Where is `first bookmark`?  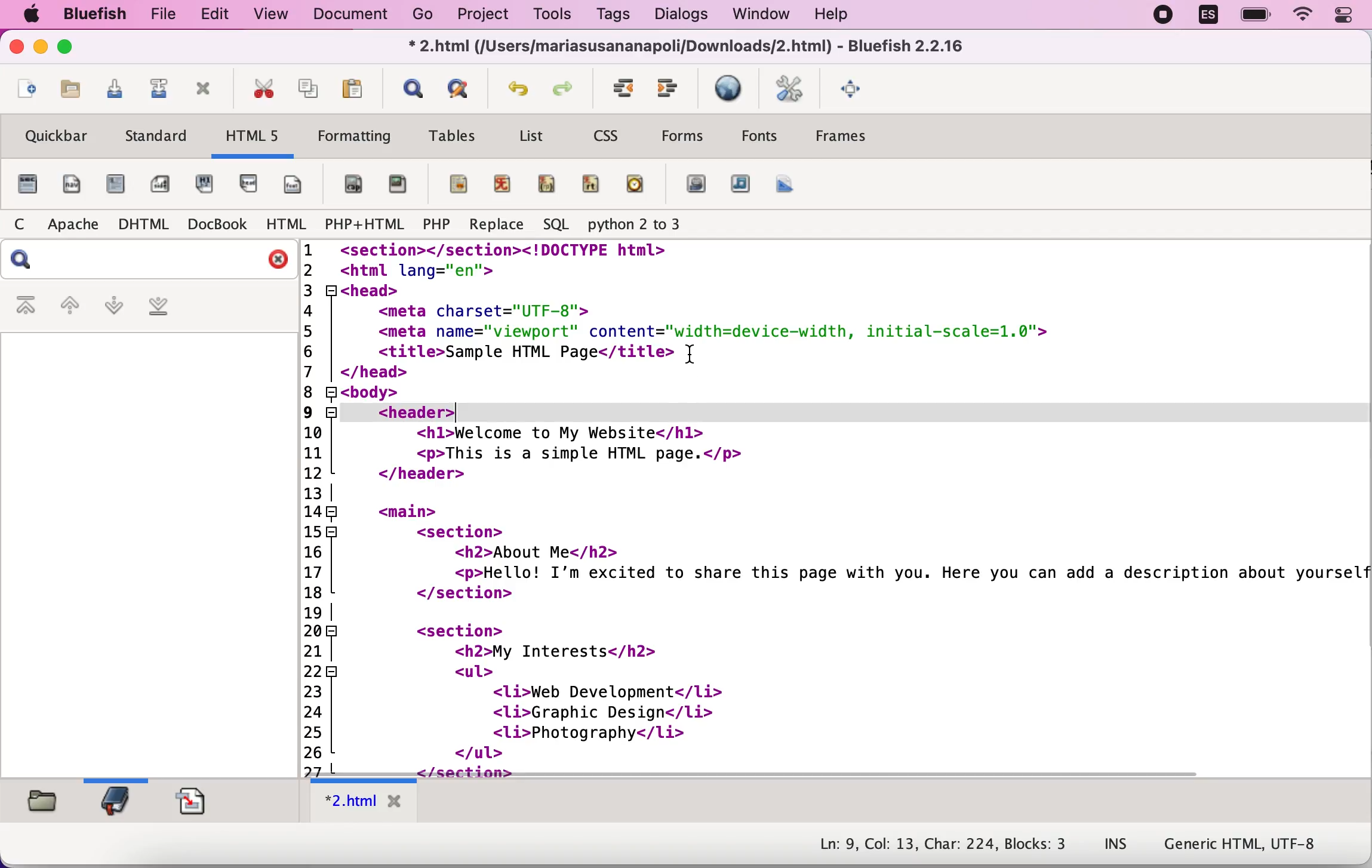 first bookmark is located at coordinates (27, 306).